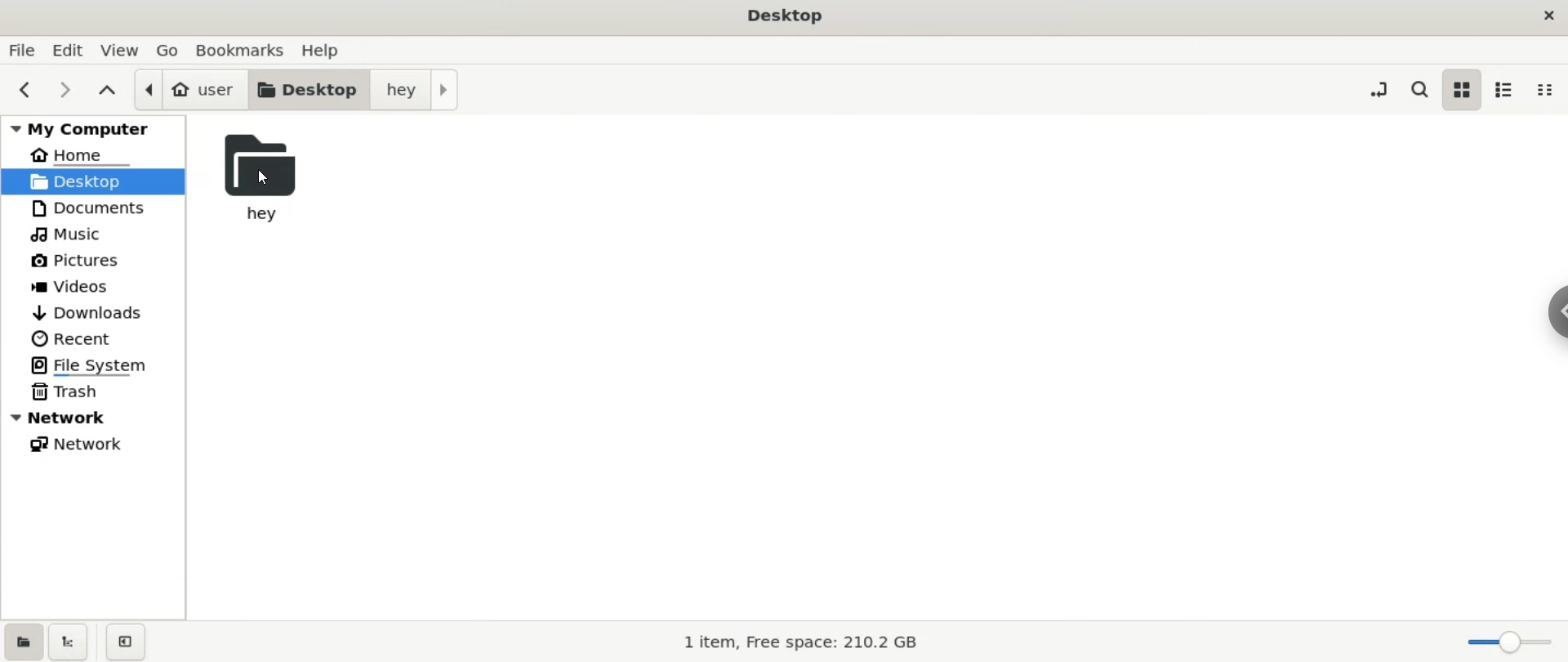 The width and height of the screenshot is (1568, 662). Describe the element at coordinates (1378, 87) in the screenshot. I see `toggle location entry` at that location.